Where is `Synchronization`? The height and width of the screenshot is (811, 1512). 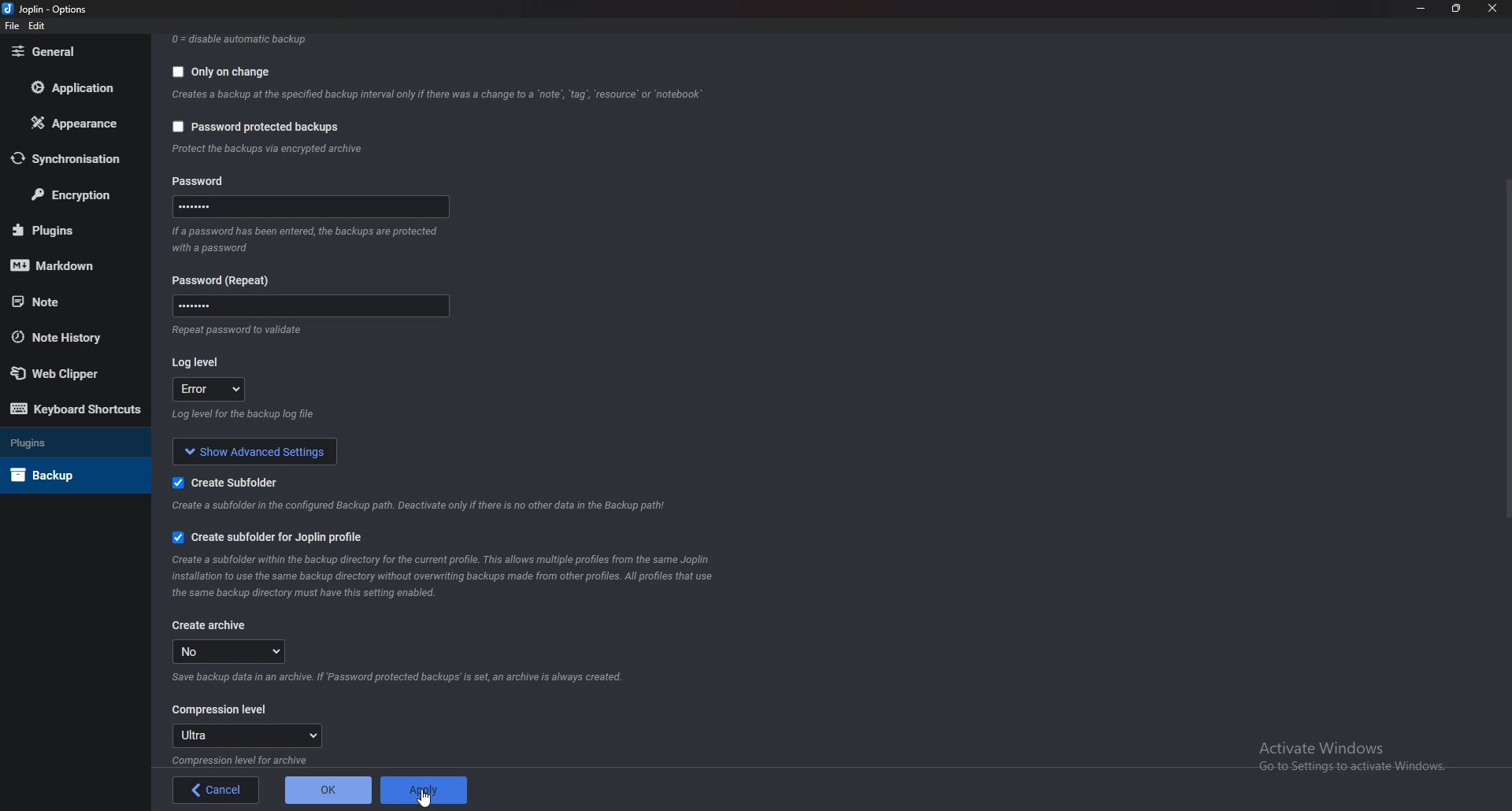
Synchronization is located at coordinates (75, 158).